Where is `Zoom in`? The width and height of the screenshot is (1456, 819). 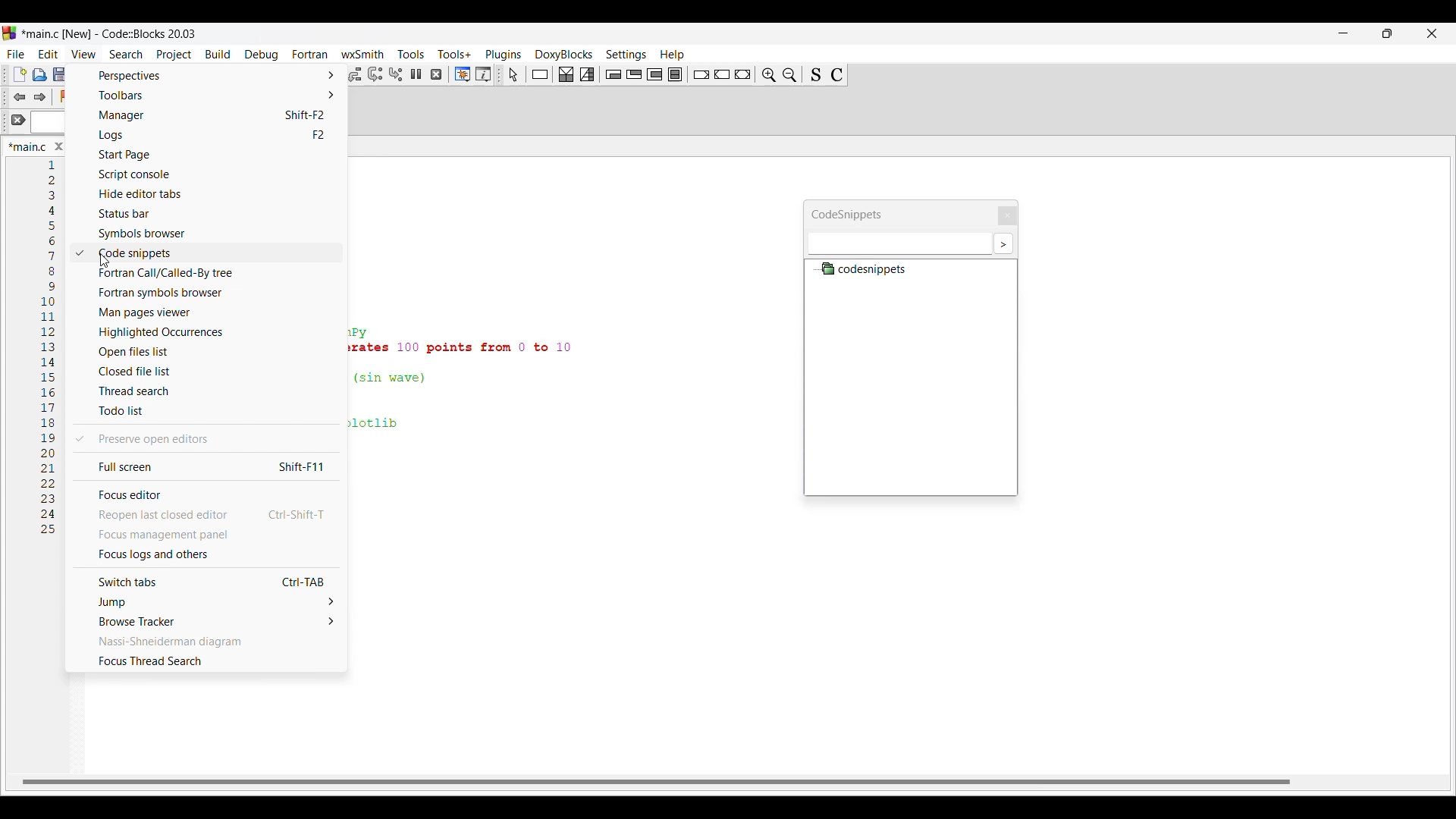
Zoom in is located at coordinates (789, 74).